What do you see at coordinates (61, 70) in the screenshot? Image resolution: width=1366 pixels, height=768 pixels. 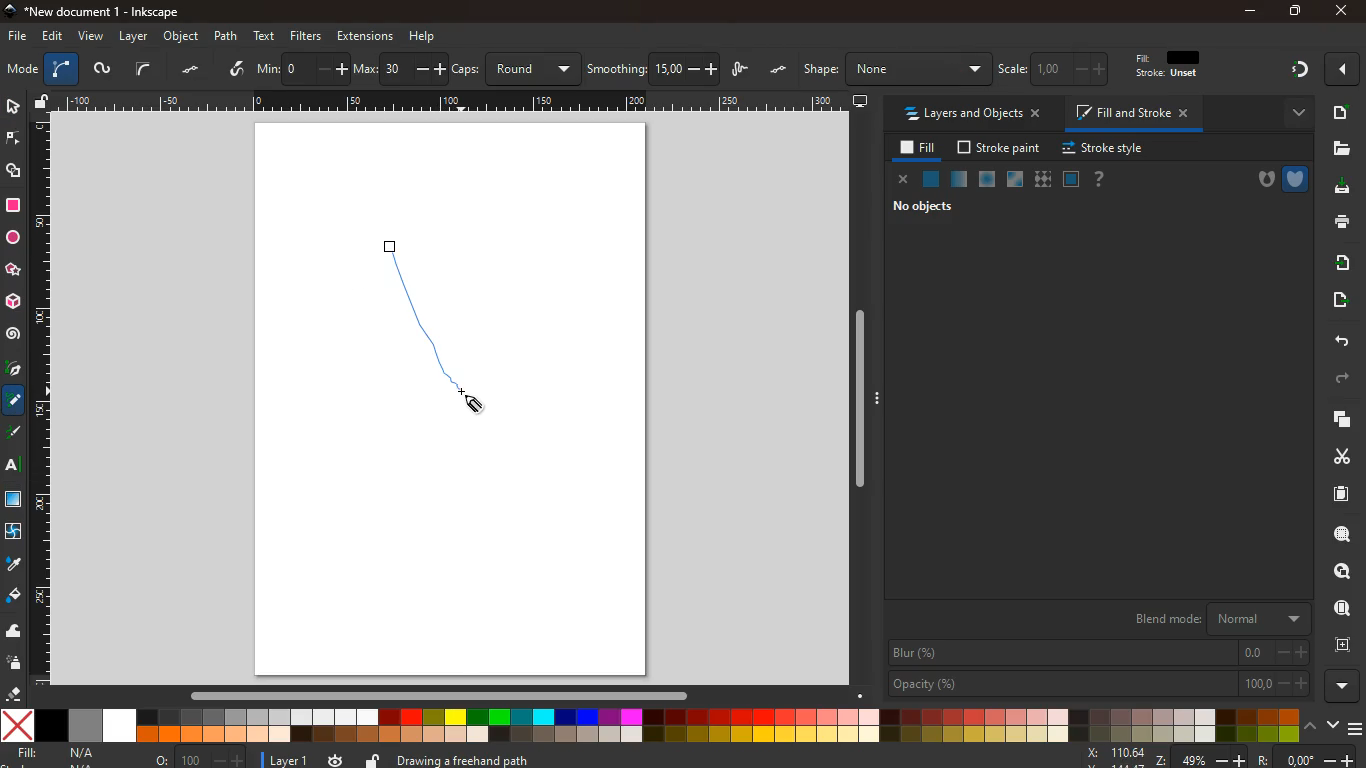 I see `curve` at bounding box center [61, 70].